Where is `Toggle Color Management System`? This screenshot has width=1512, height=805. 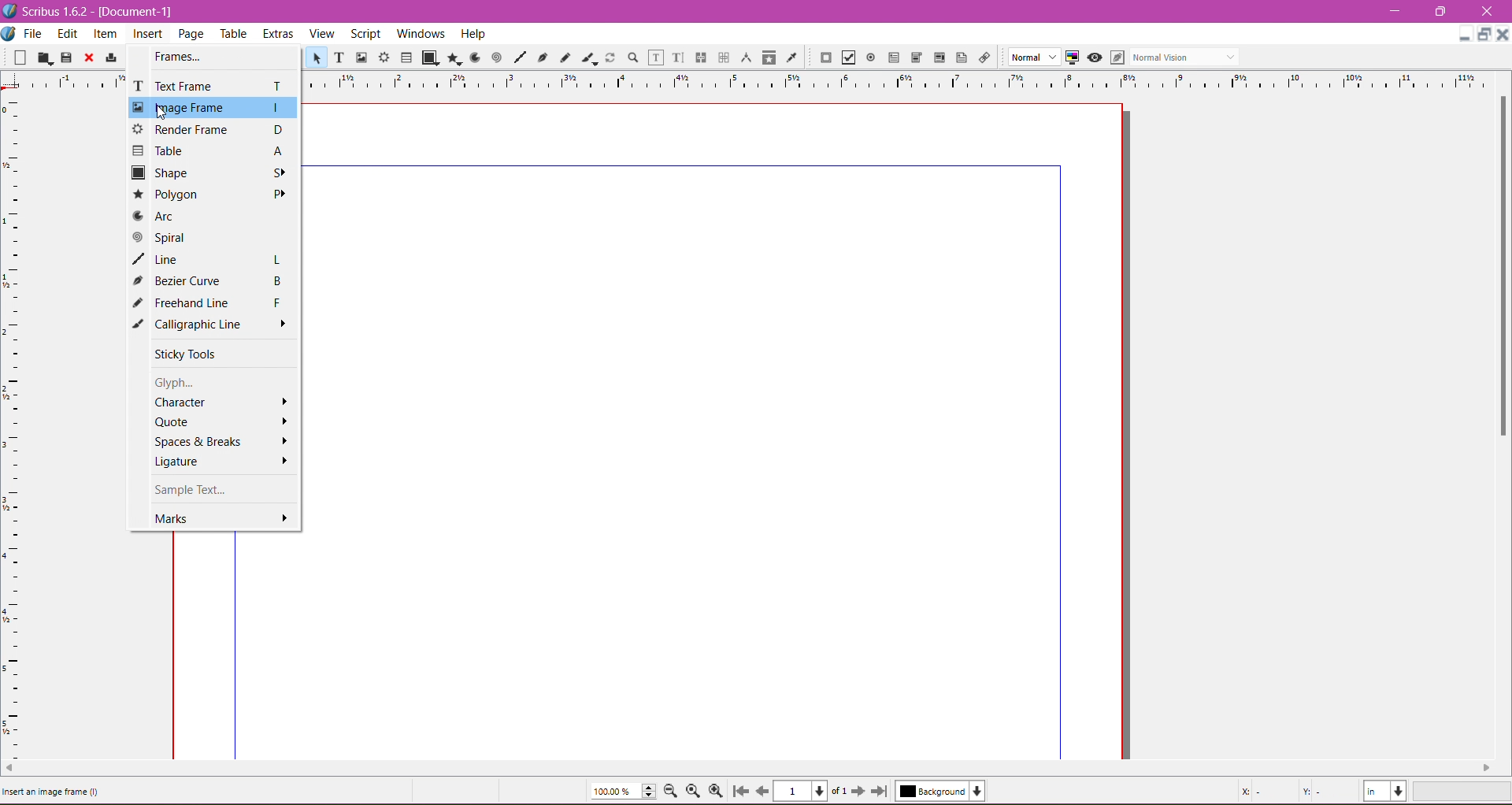
Toggle Color Management System is located at coordinates (1071, 58).